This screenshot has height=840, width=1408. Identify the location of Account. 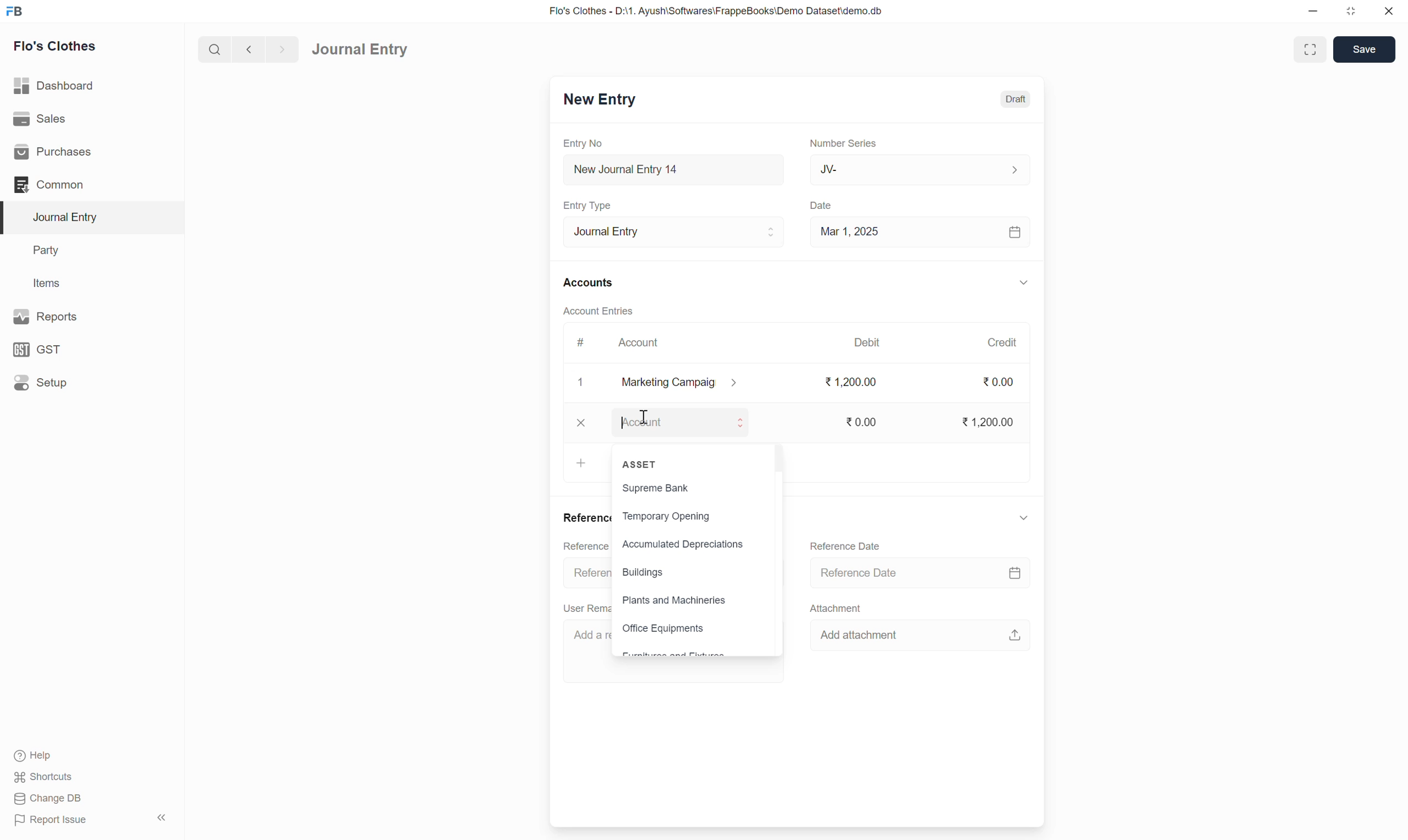
(640, 342).